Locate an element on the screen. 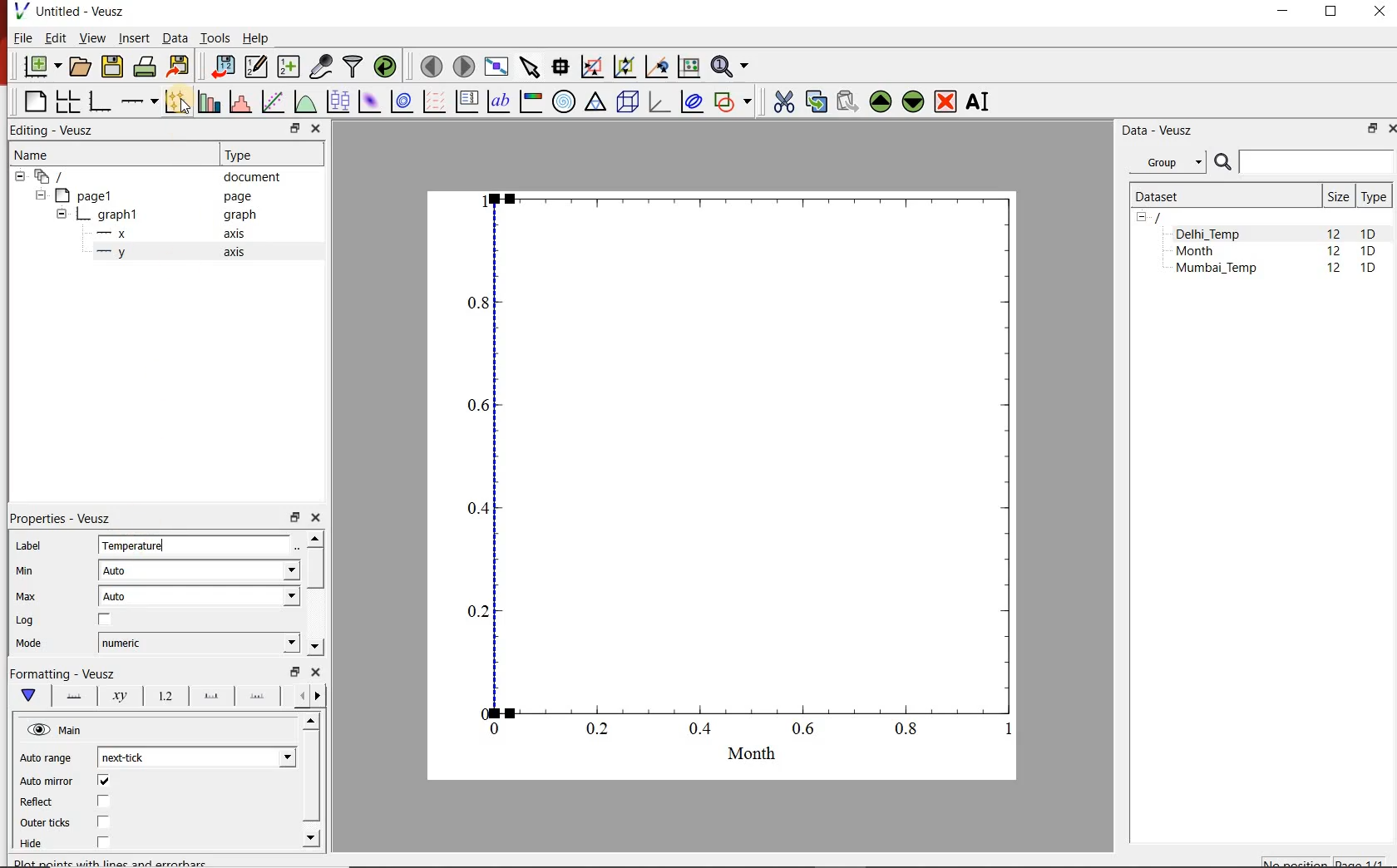 The width and height of the screenshot is (1397, 868). CLOSE is located at coordinates (1377, 11).